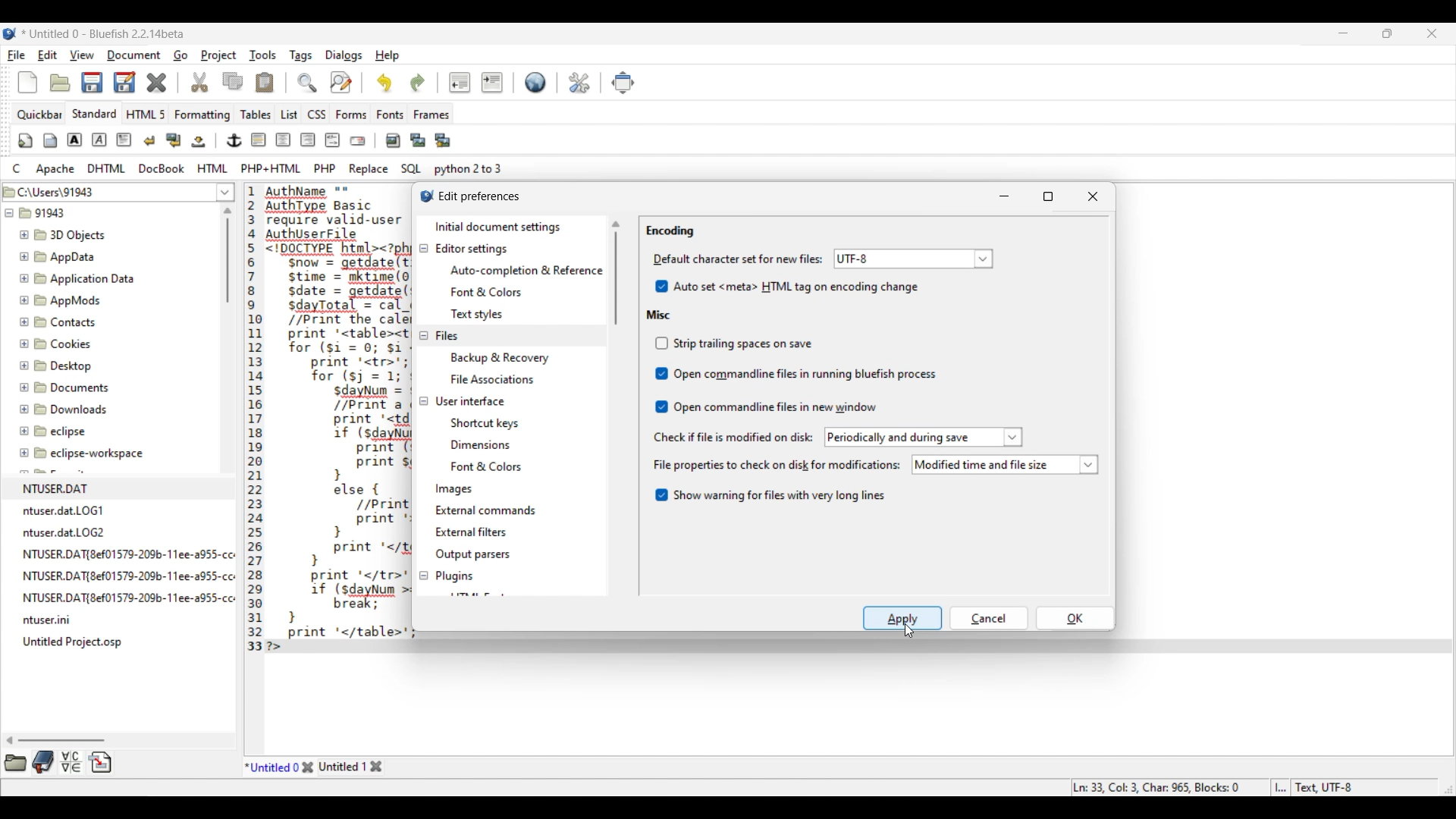 The image size is (1456, 819). Describe the element at coordinates (1075, 617) in the screenshot. I see `OK` at that location.